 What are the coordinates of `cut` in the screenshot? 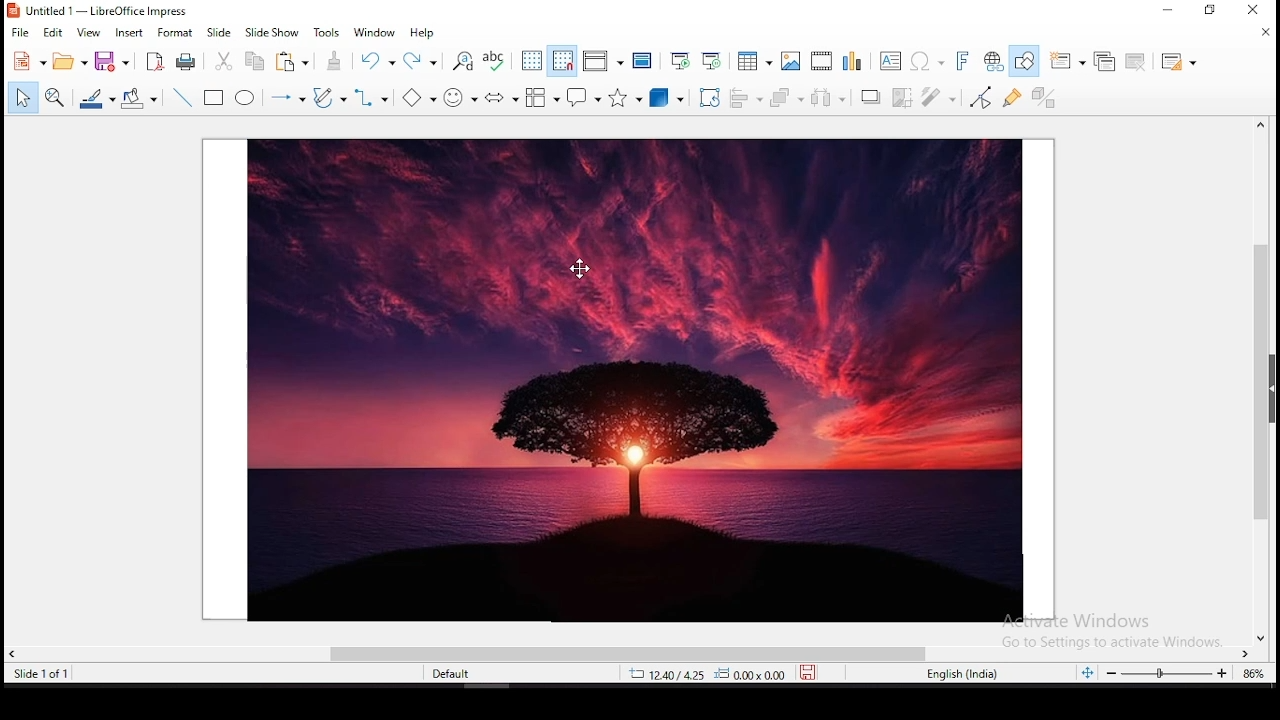 It's located at (224, 61).